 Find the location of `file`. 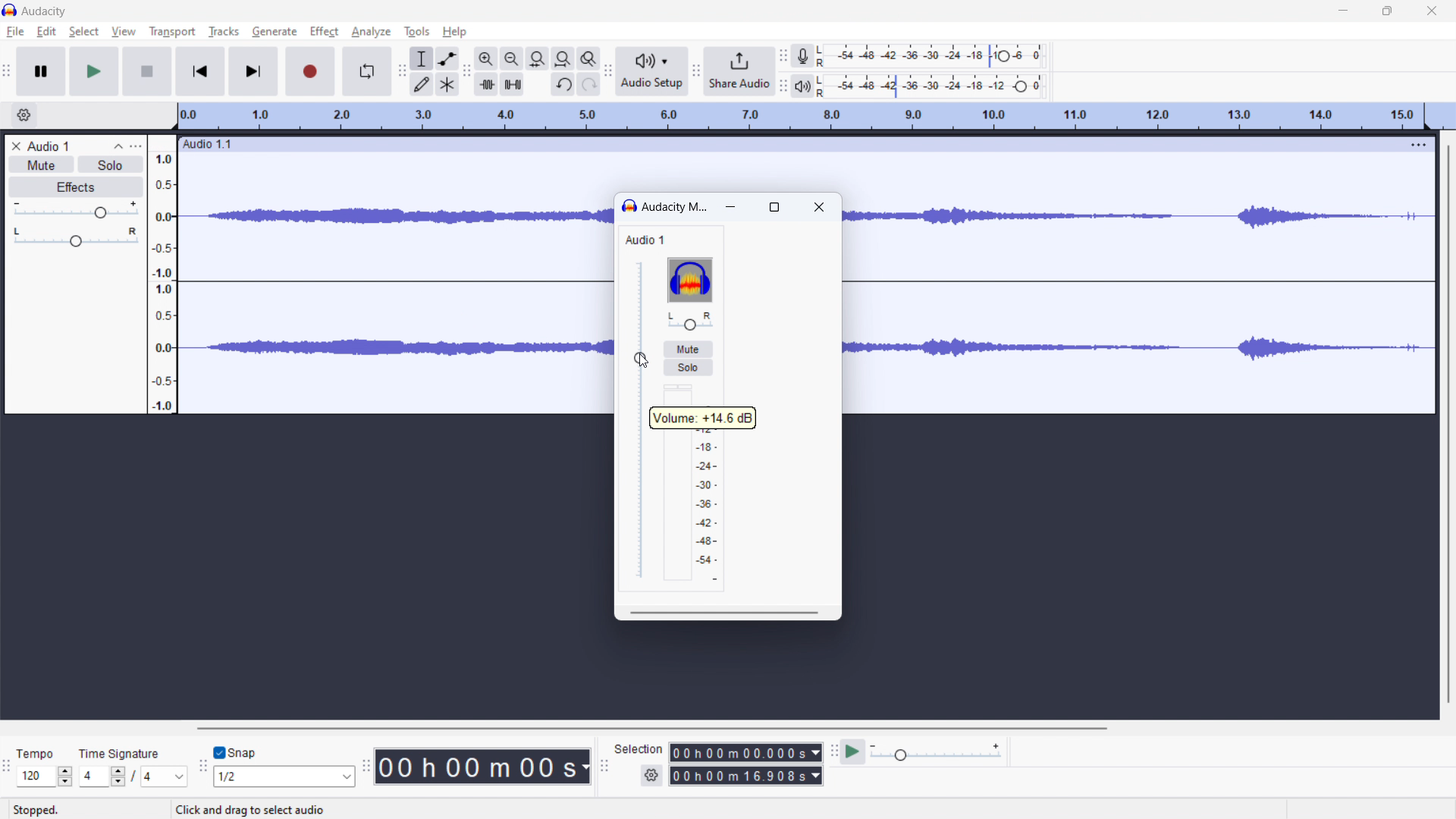

file is located at coordinates (16, 32).